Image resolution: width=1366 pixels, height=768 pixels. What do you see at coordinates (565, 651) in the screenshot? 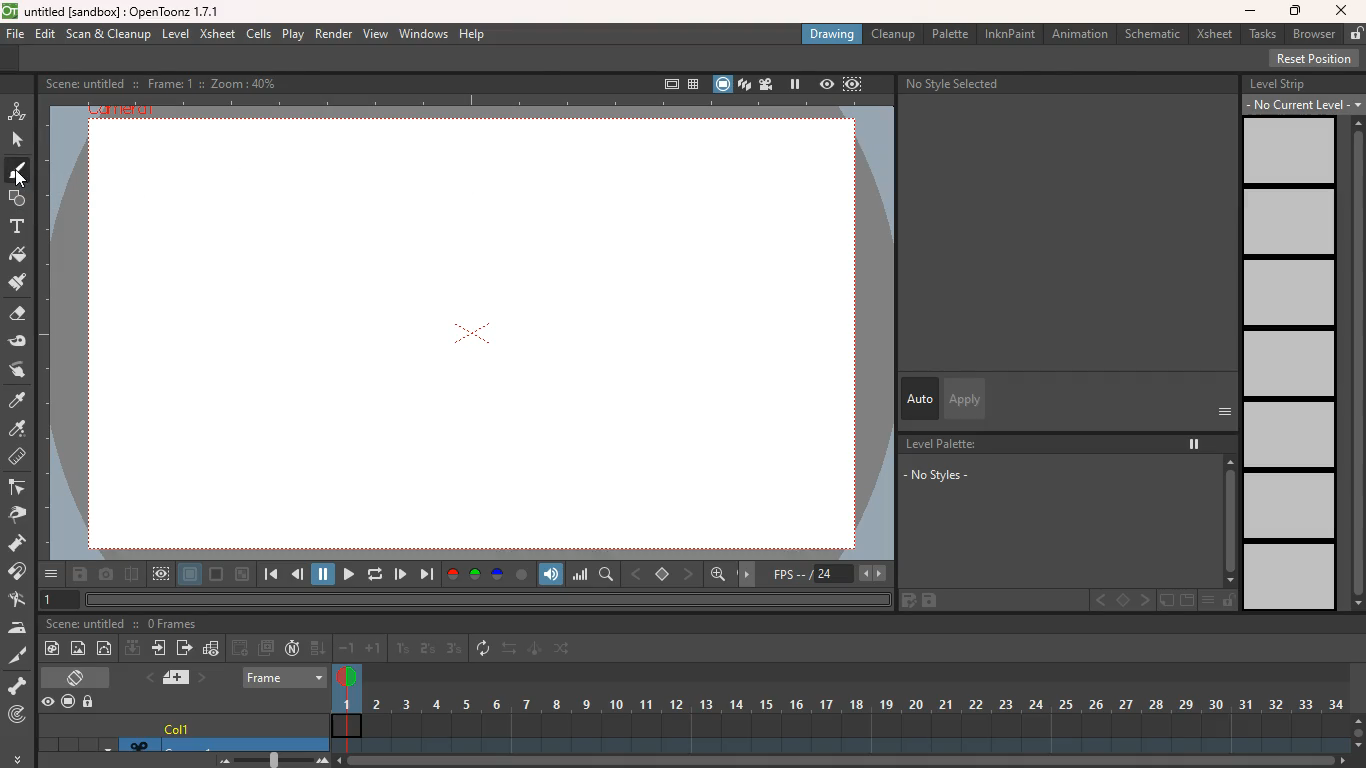
I see `change` at bounding box center [565, 651].